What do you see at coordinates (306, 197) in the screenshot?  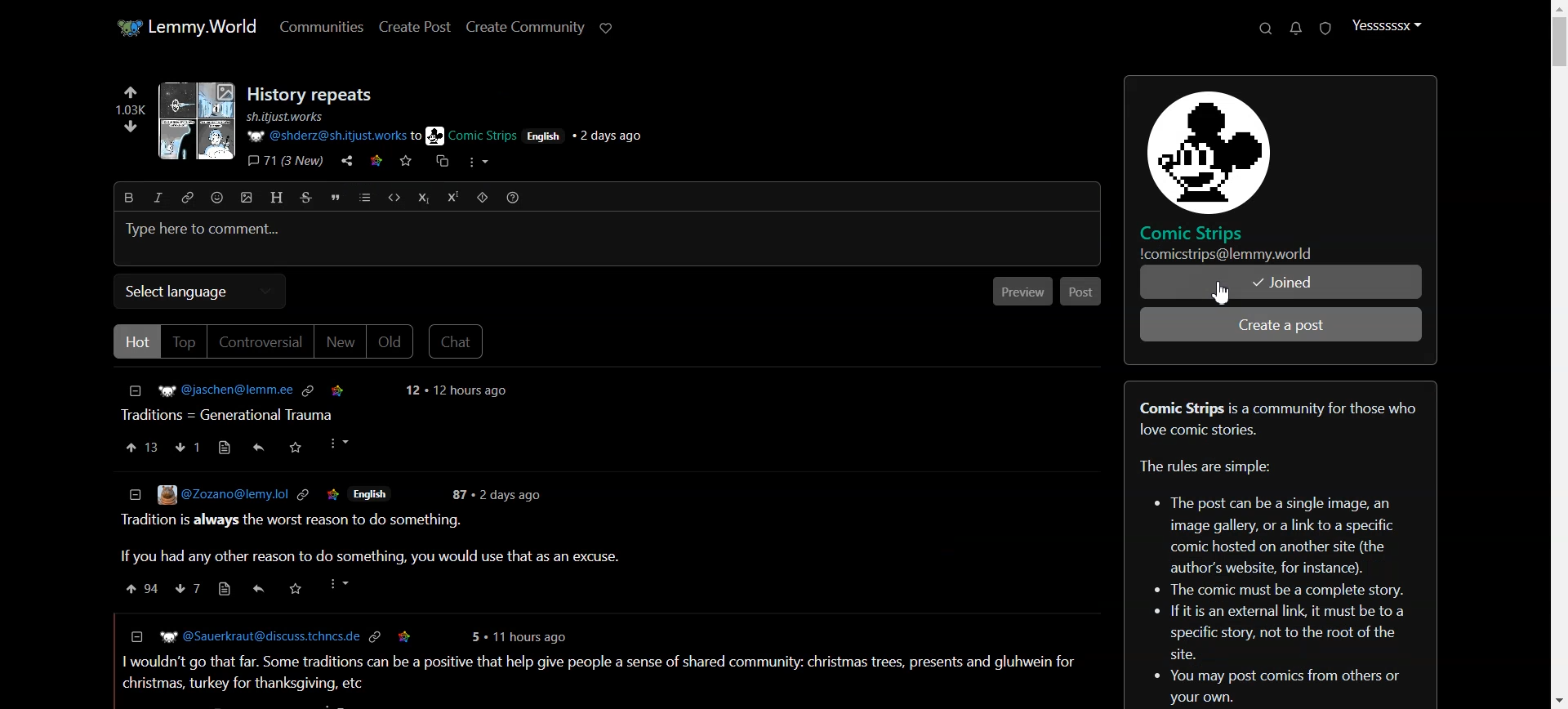 I see `Strike through` at bounding box center [306, 197].